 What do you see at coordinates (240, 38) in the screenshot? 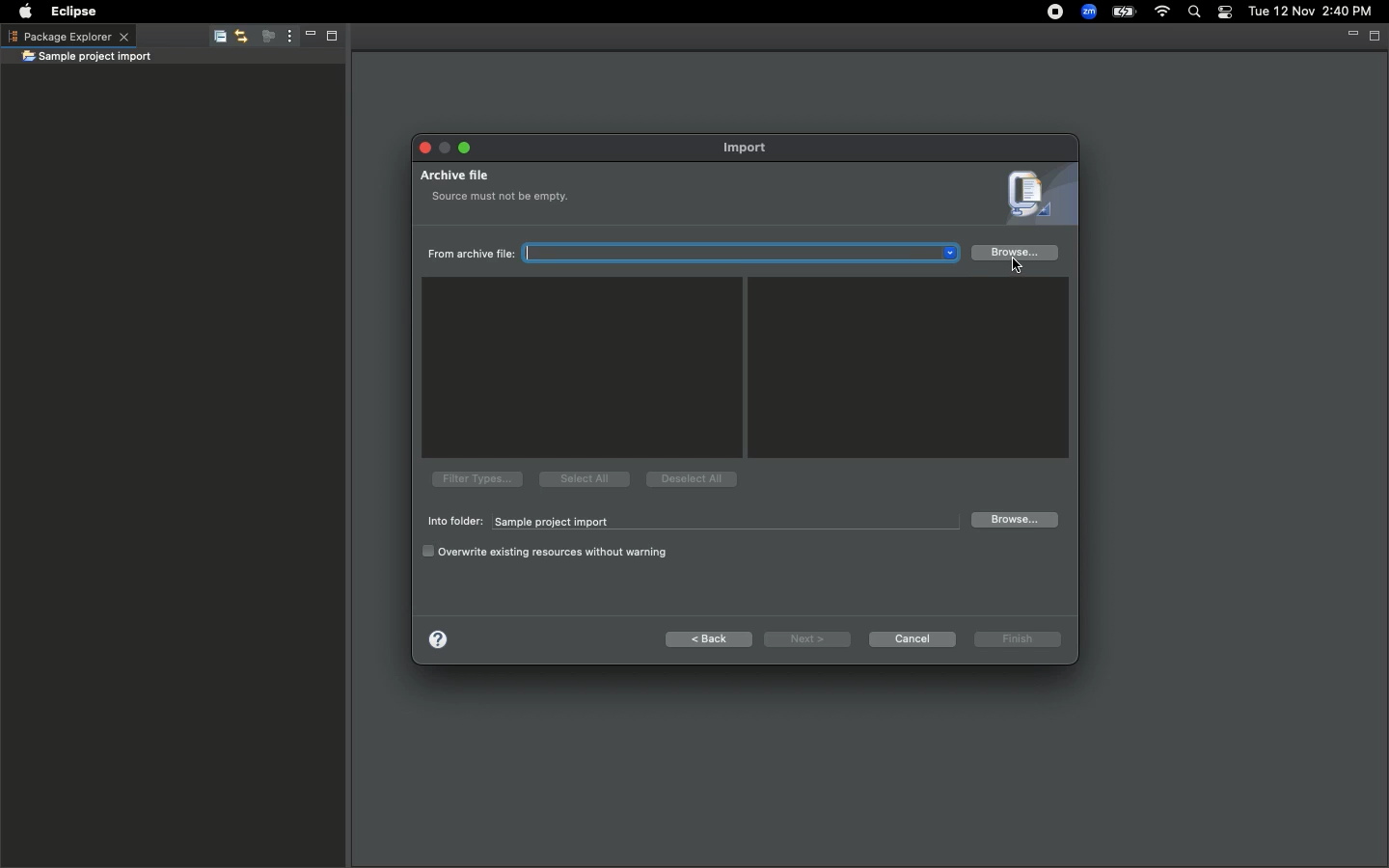
I see `Link with editor` at bounding box center [240, 38].